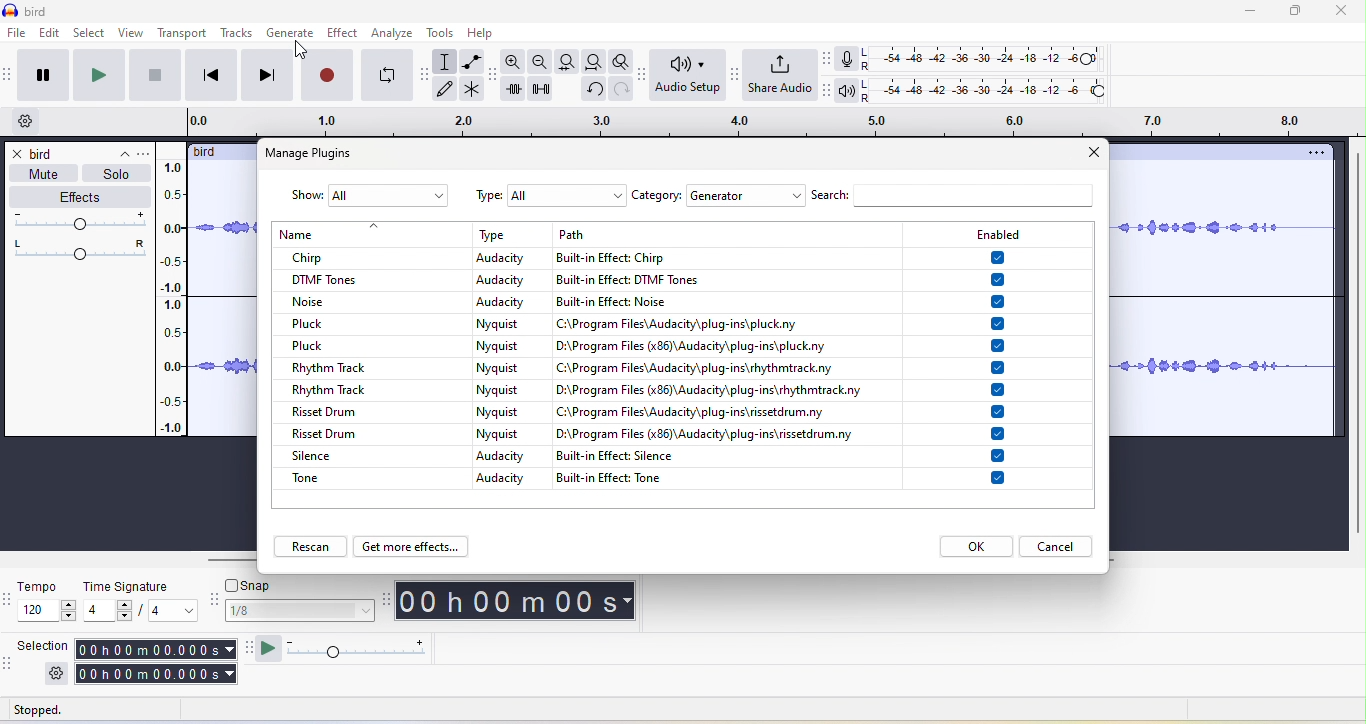  I want to click on collapse, so click(115, 152).